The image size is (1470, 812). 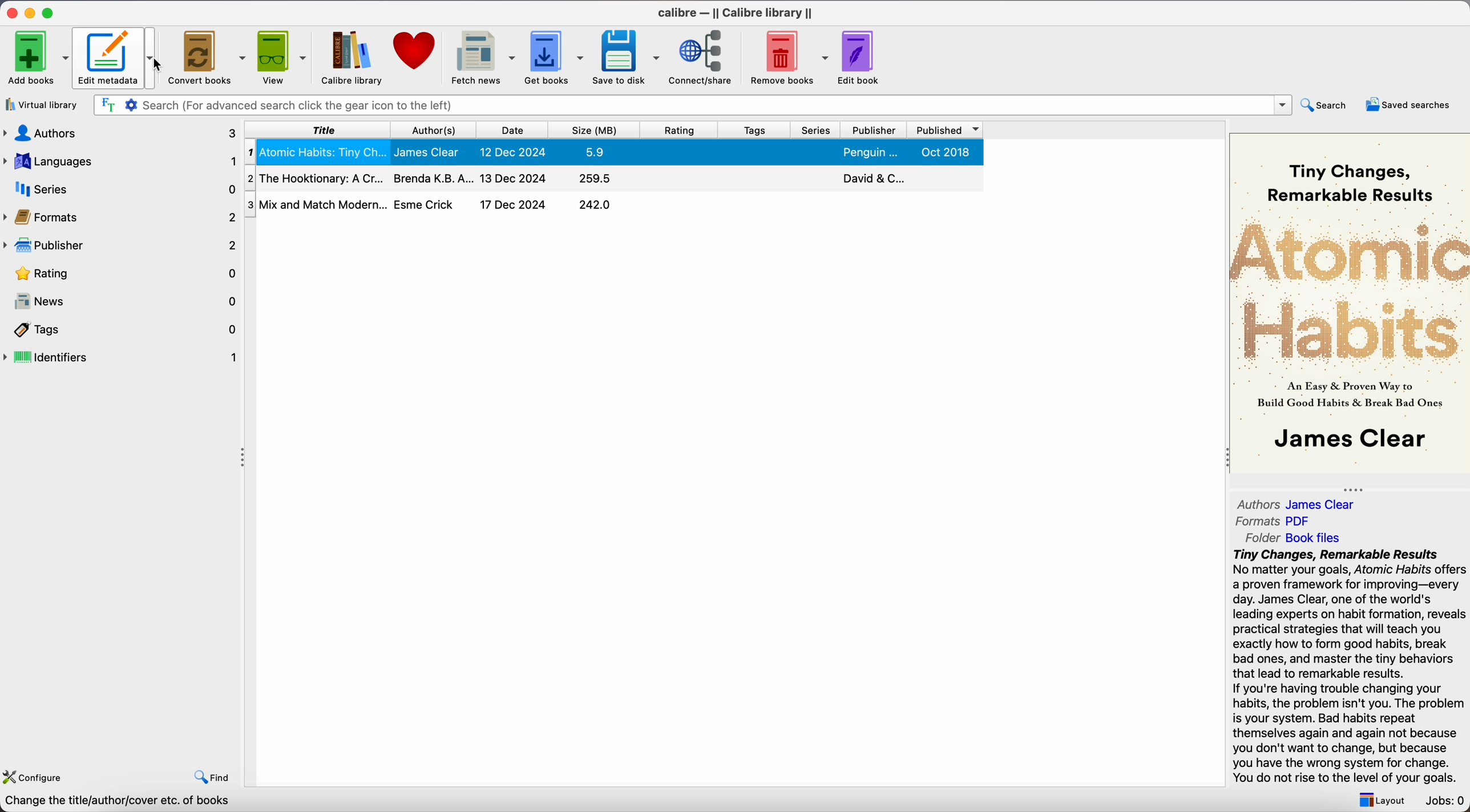 What do you see at coordinates (32, 13) in the screenshot?
I see `minimize app` at bounding box center [32, 13].